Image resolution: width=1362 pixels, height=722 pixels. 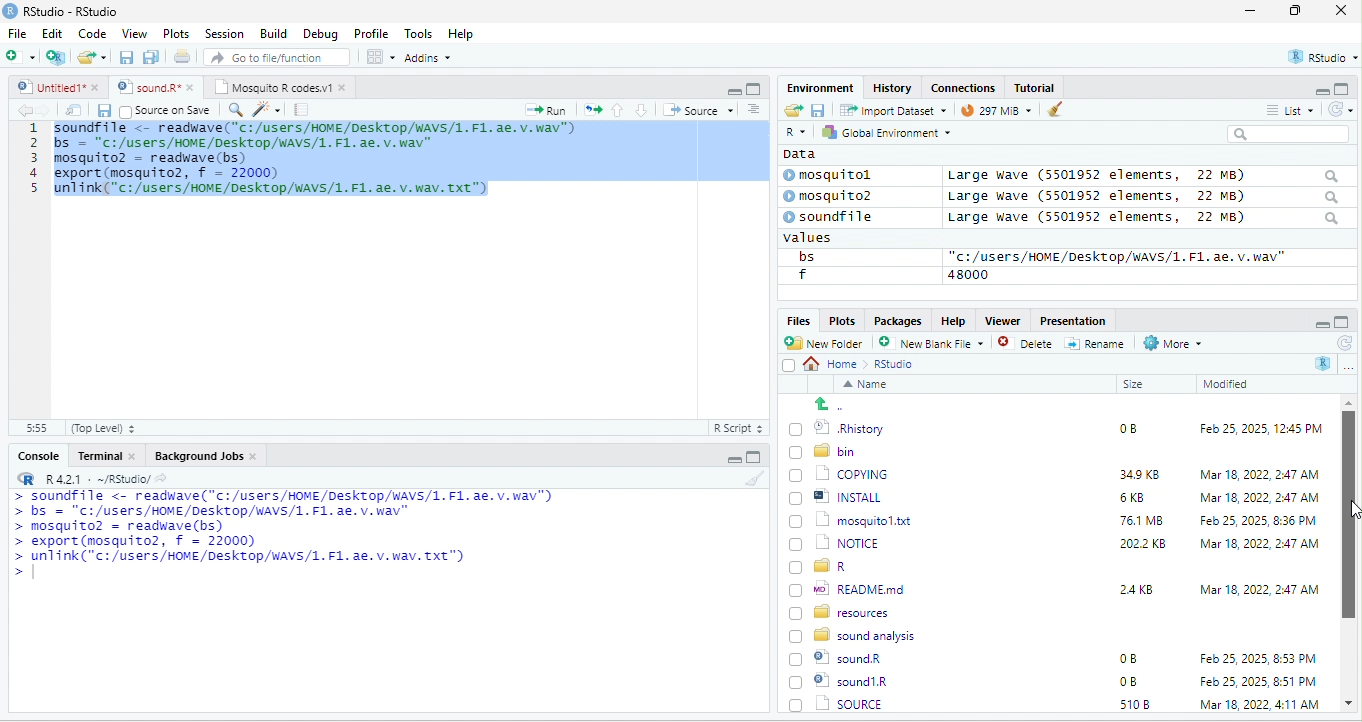 I want to click on Viewer, so click(x=1000, y=321).